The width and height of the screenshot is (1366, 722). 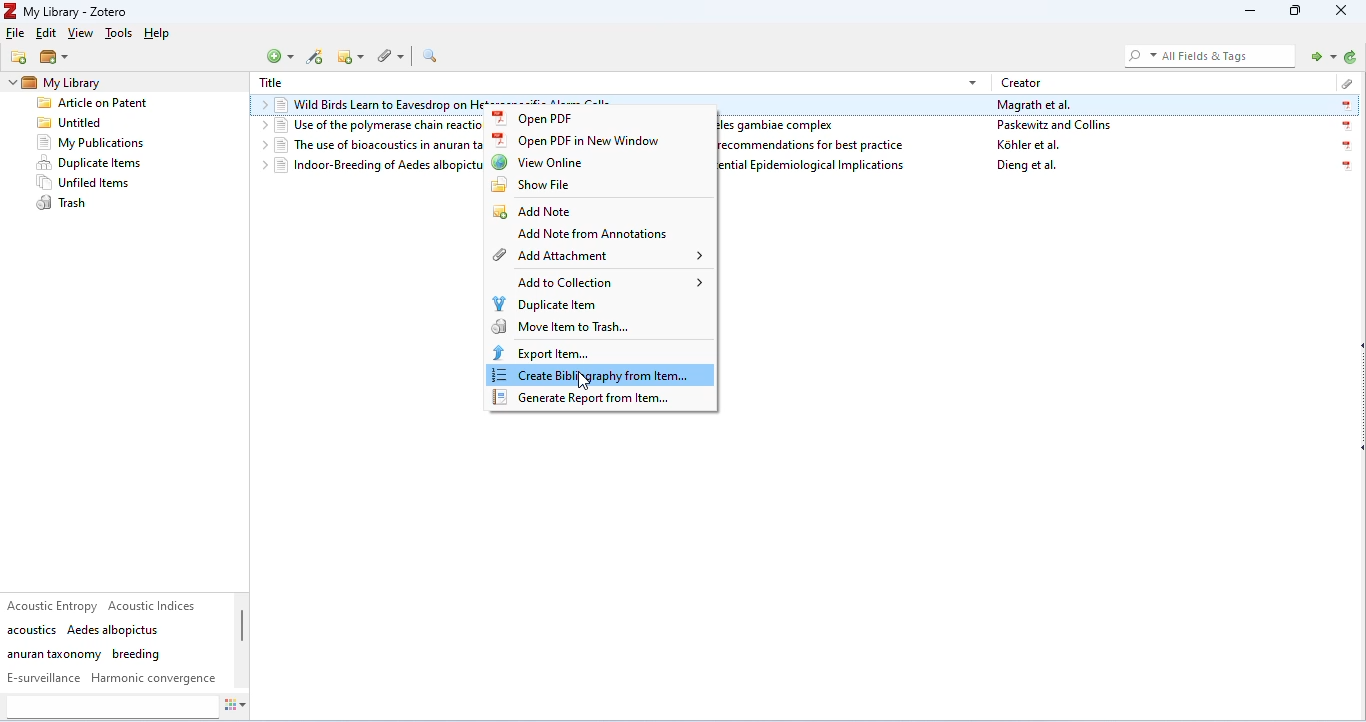 What do you see at coordinates (389, 56) in the screenshot?
I see `attachment` at bounding box center [389, 56].